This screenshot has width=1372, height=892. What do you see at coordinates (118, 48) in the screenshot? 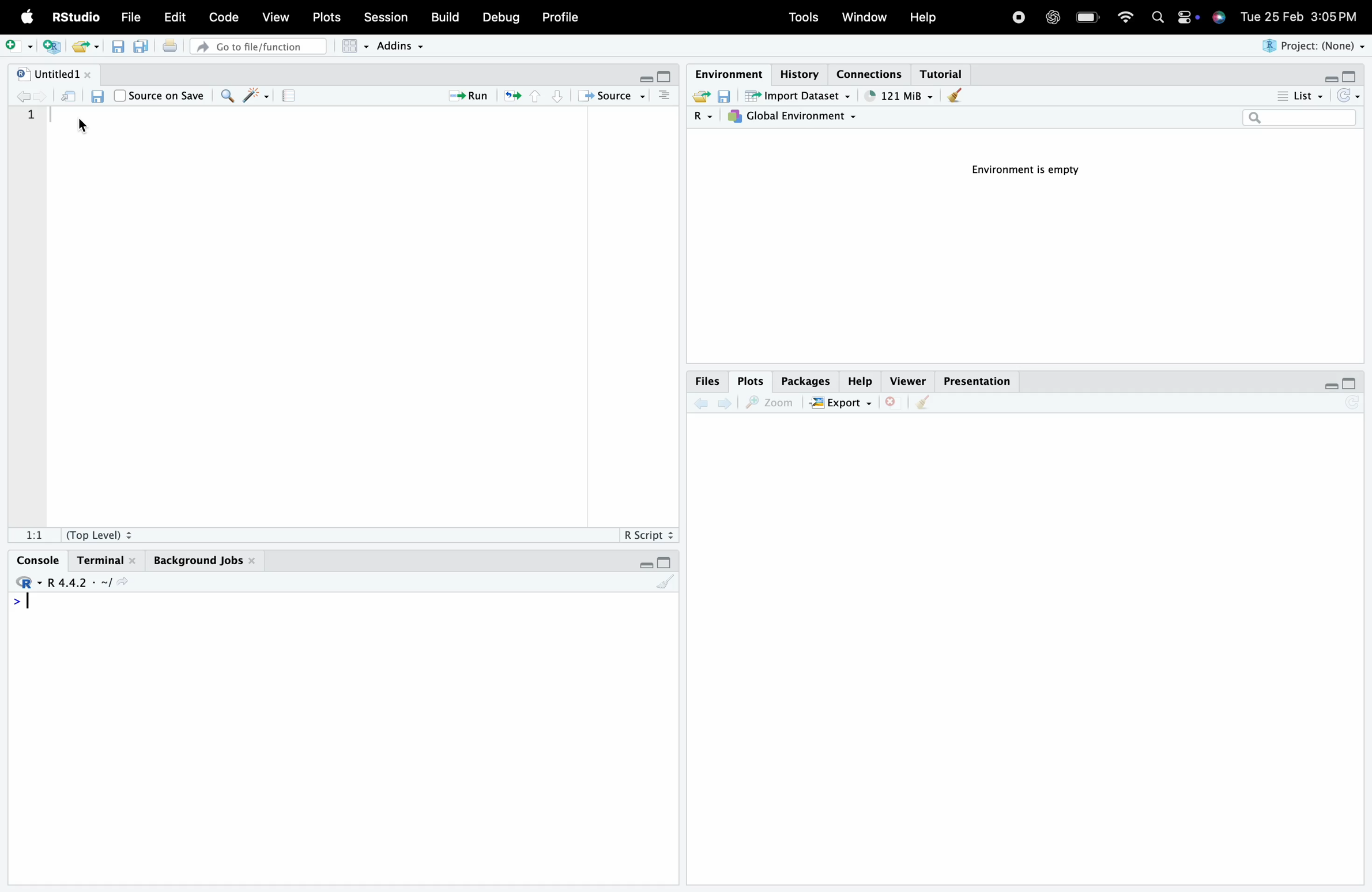
I see `Save current document (Ctrl + S)` at bounding box center [118, 48].